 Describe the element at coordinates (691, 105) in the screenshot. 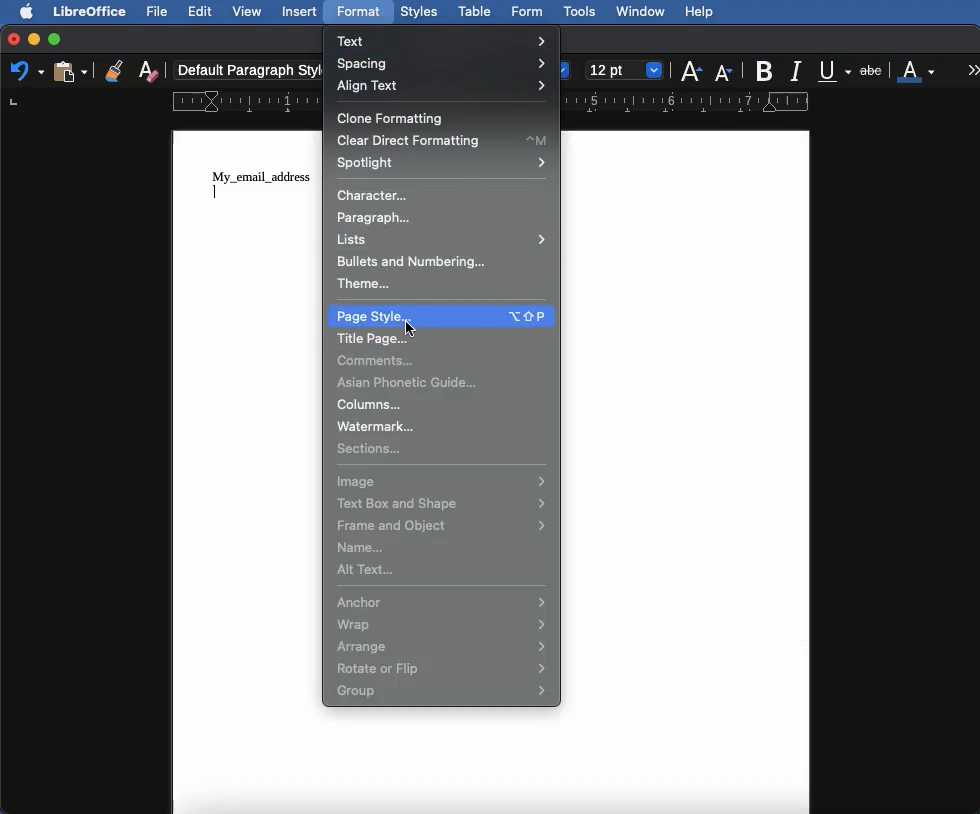

I see `ruler` at that location.